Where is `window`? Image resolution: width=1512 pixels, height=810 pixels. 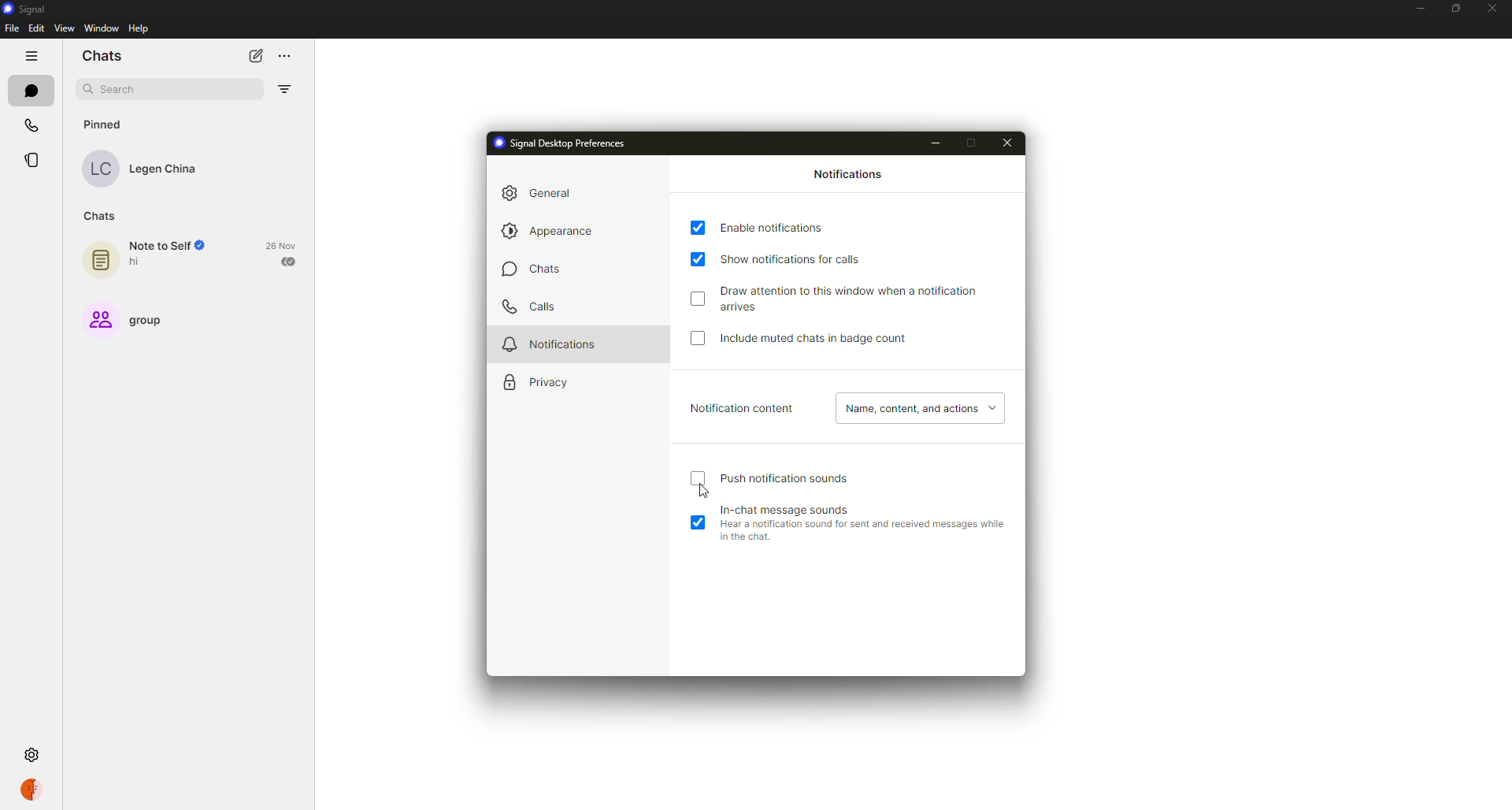
window is located at coordinates (101, 29).